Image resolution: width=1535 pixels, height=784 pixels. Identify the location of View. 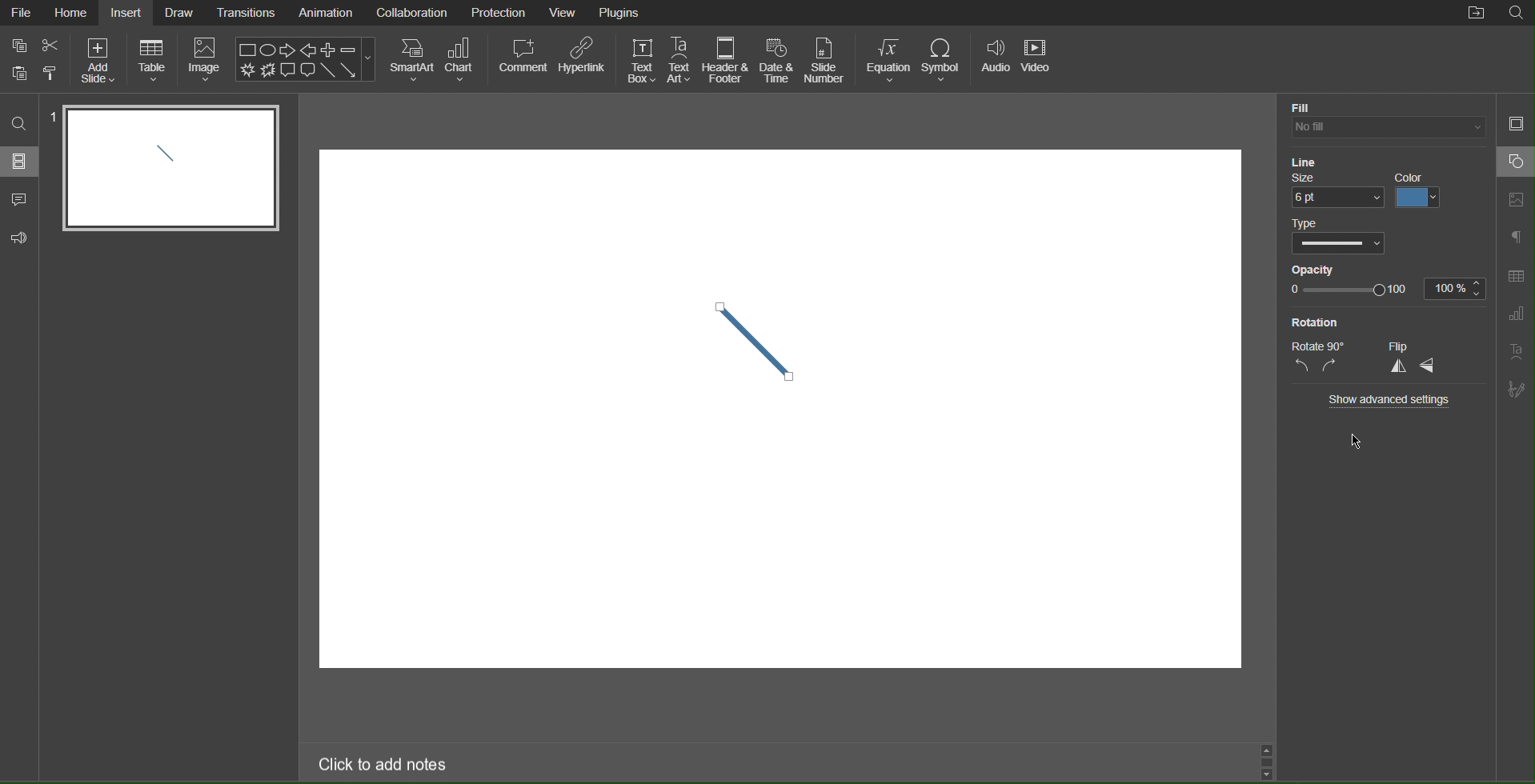
(564, 14).